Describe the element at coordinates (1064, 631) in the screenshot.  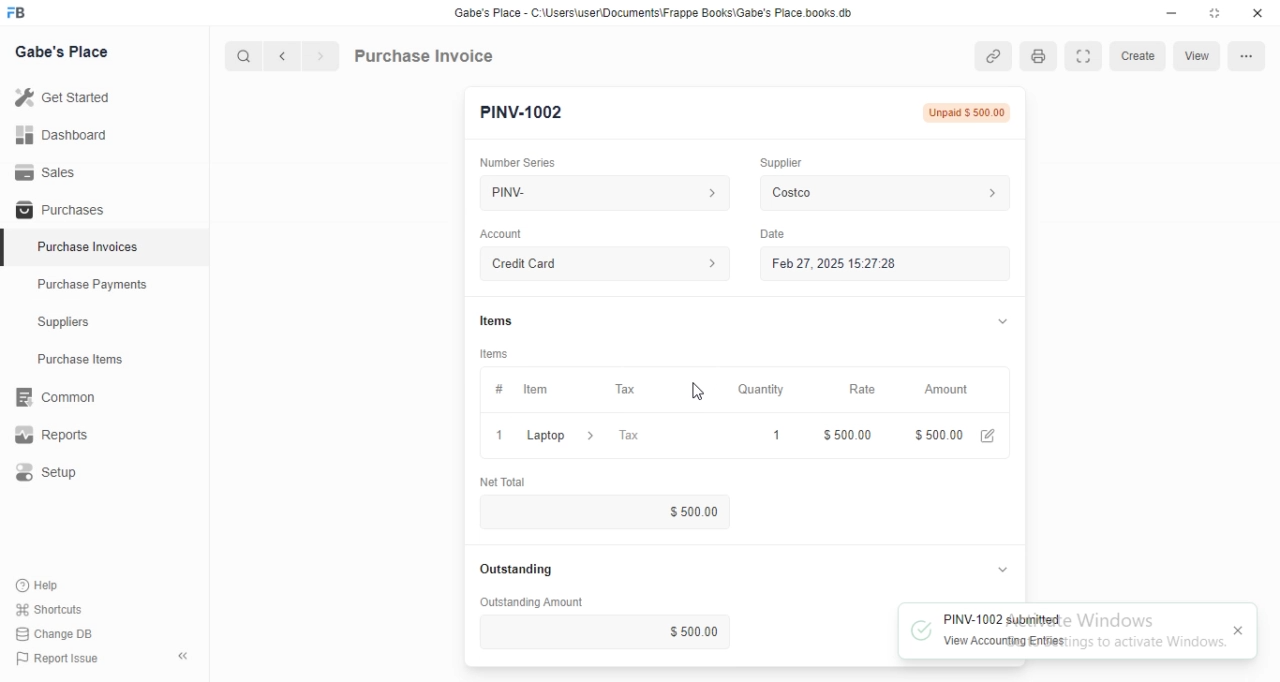
I see `PINV-1002 submitted View Accounting Entries` at that location.